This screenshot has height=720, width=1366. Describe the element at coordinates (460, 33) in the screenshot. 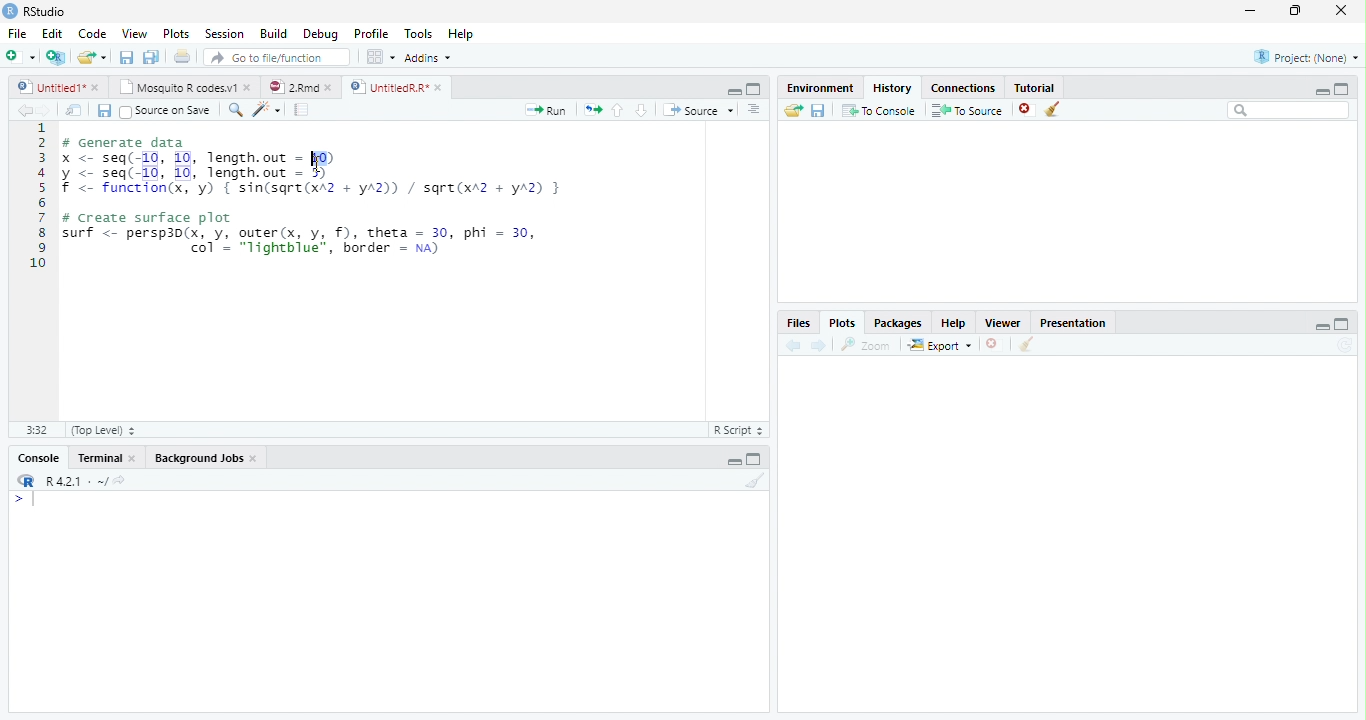

I see `Help` at that location.